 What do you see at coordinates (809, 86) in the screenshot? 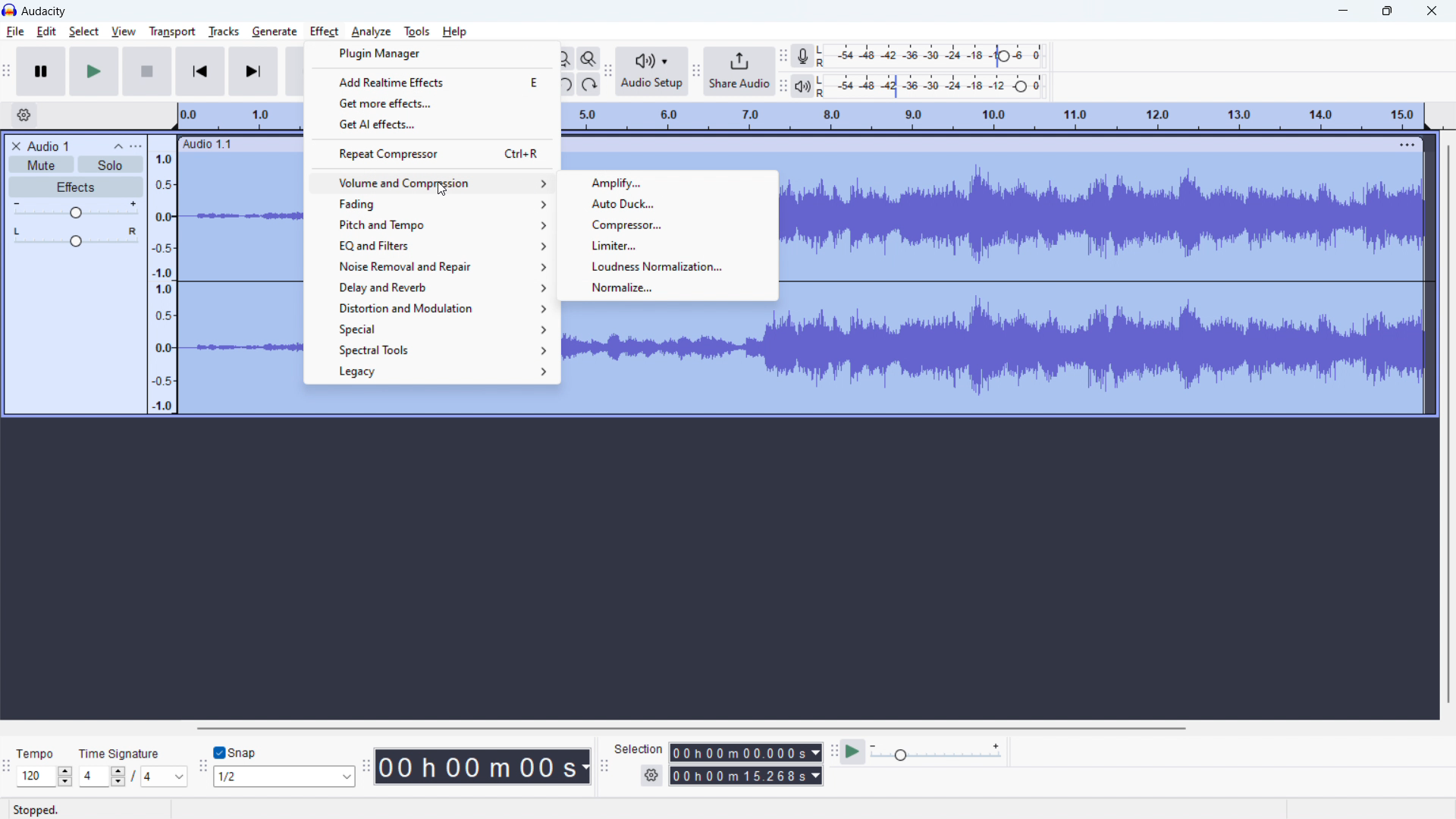
I see `playback meter` at bounding box center [809, 86].